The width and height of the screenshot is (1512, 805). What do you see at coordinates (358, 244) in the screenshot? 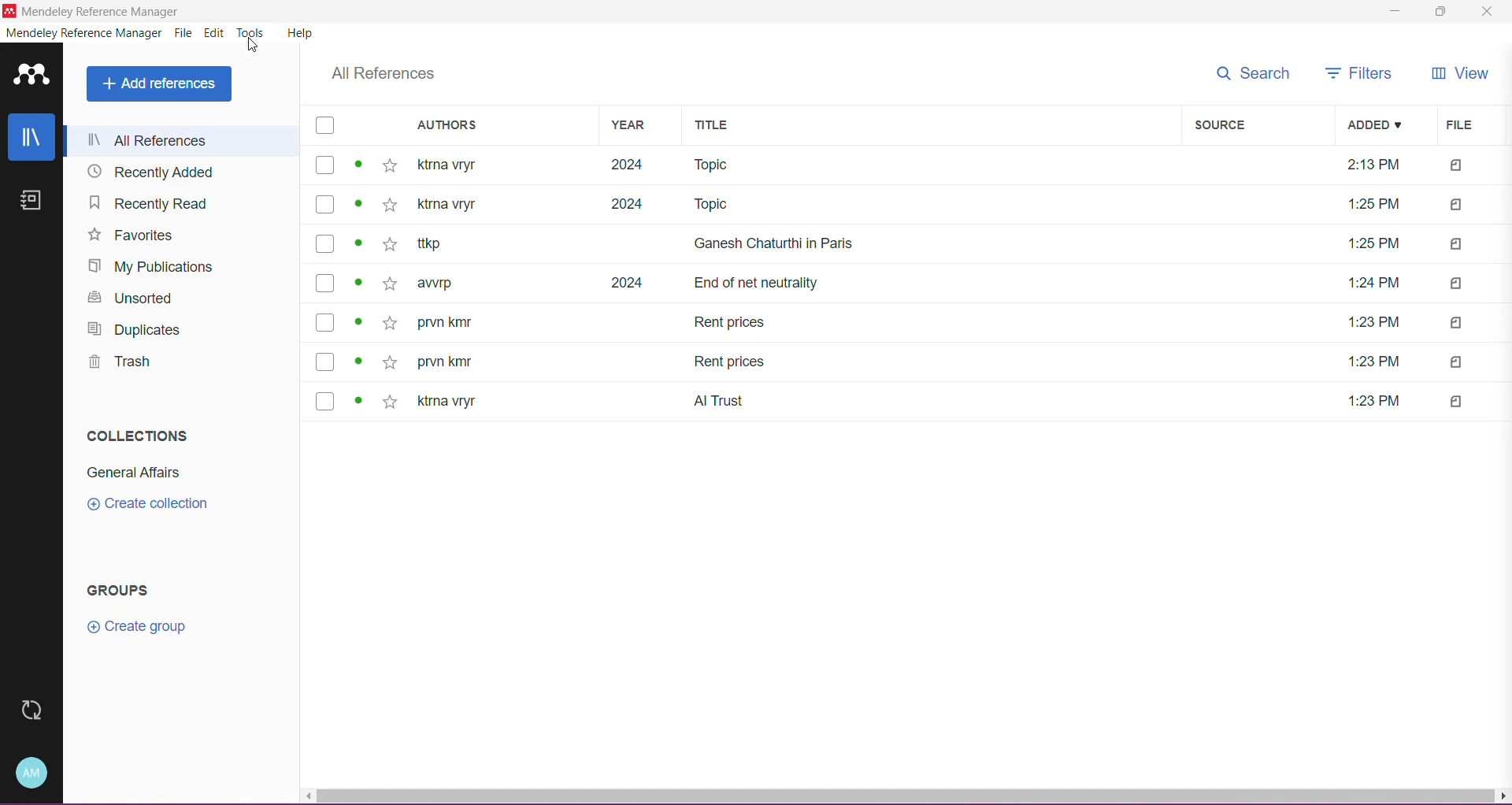
I see `read` at bounding box center [358, 244].